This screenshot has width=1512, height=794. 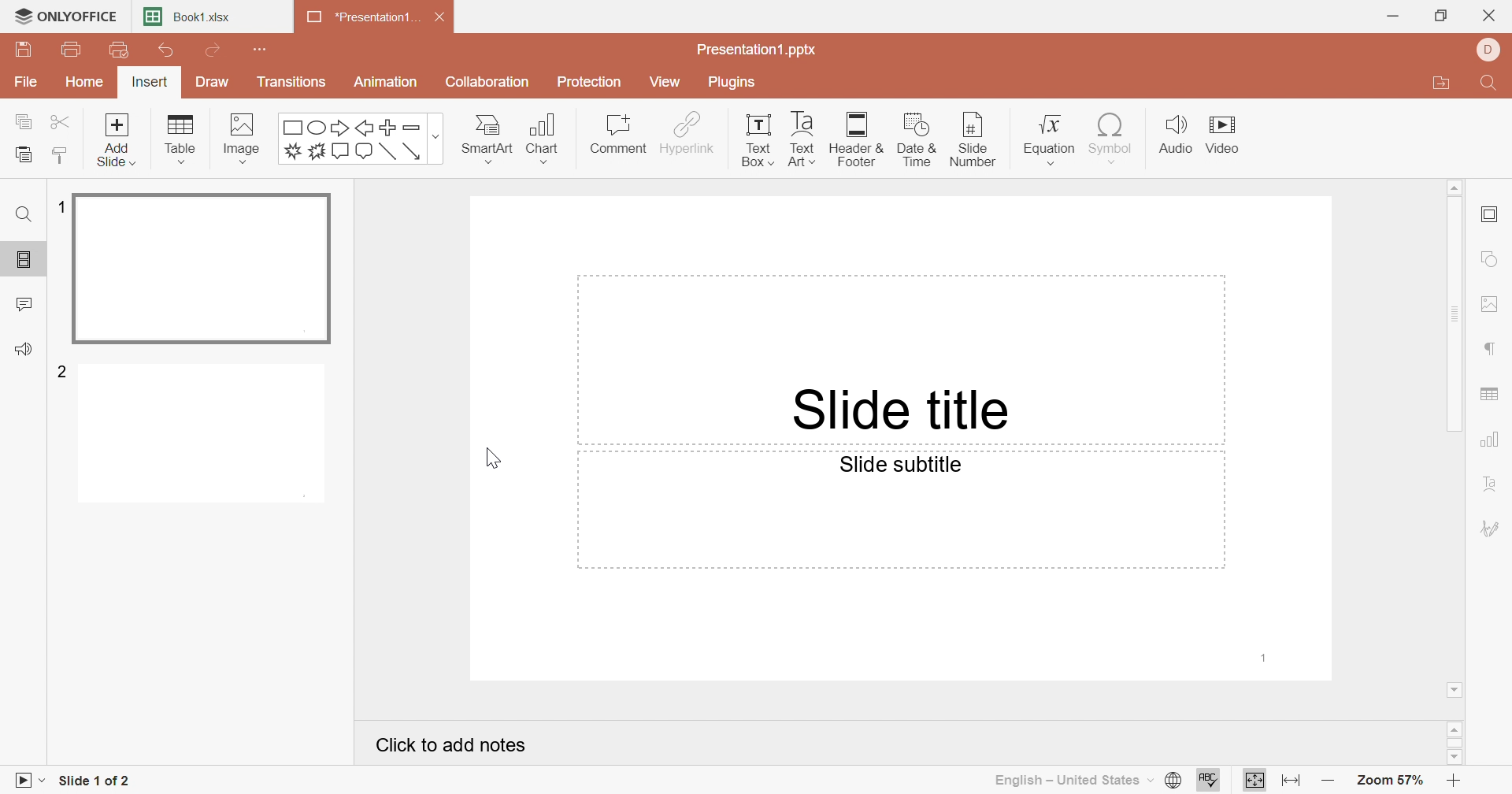 What do you see at coordinates (387, 82) in the screenshot?
I see `Animation` at bounding box center [387, 82].